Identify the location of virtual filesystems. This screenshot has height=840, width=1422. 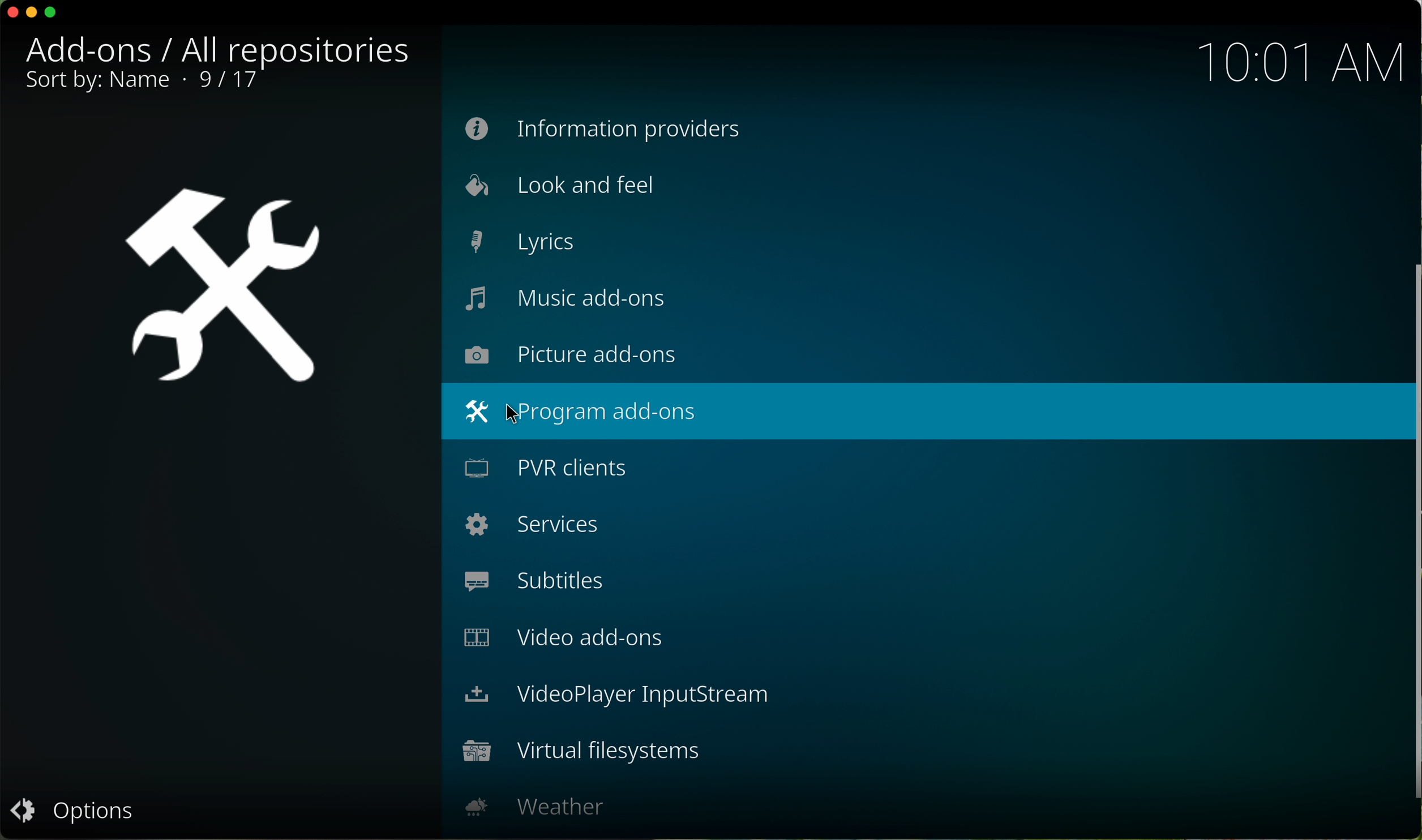
(577, 753).